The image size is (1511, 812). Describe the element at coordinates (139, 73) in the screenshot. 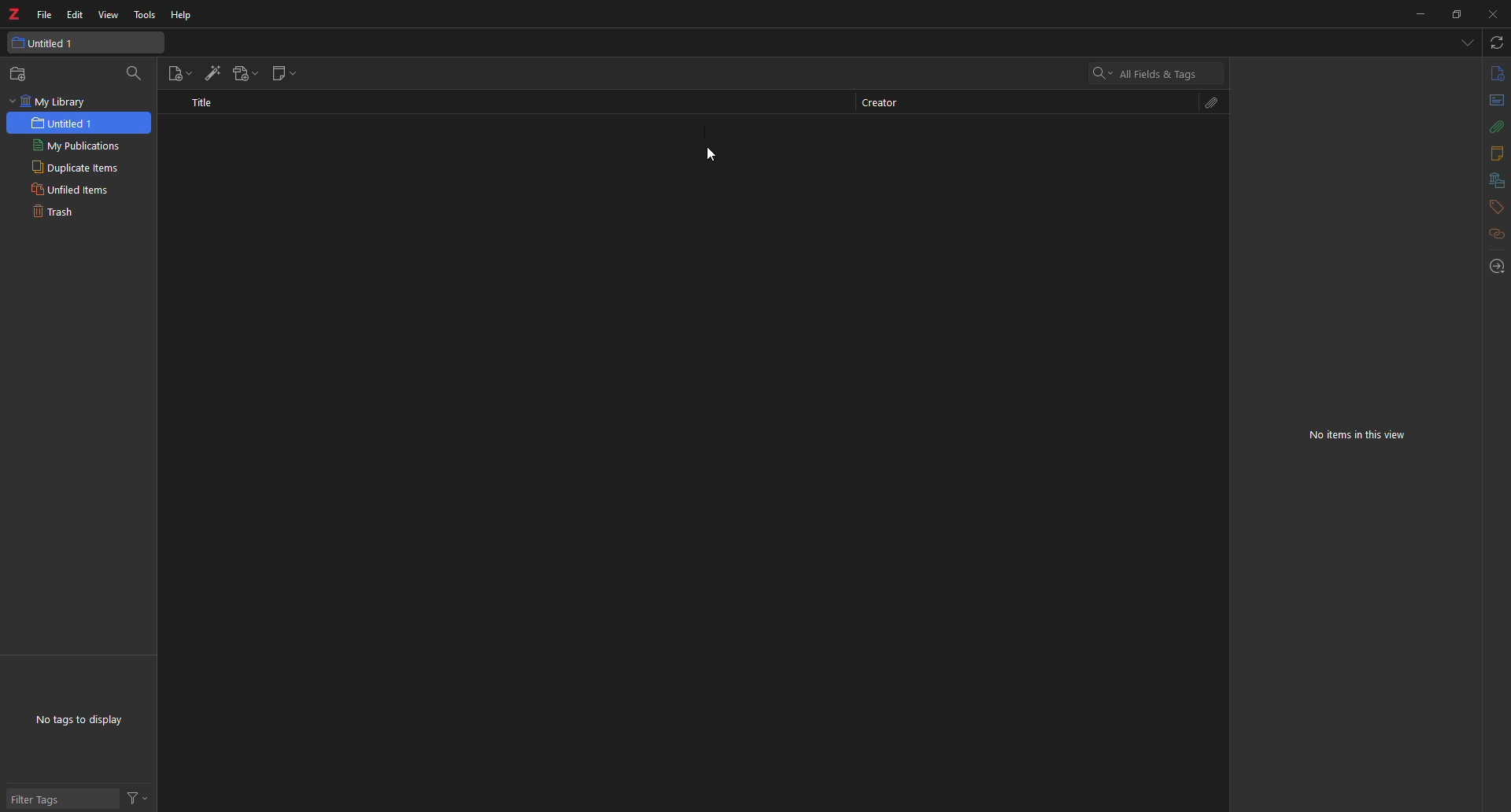

I see `search` at that location.